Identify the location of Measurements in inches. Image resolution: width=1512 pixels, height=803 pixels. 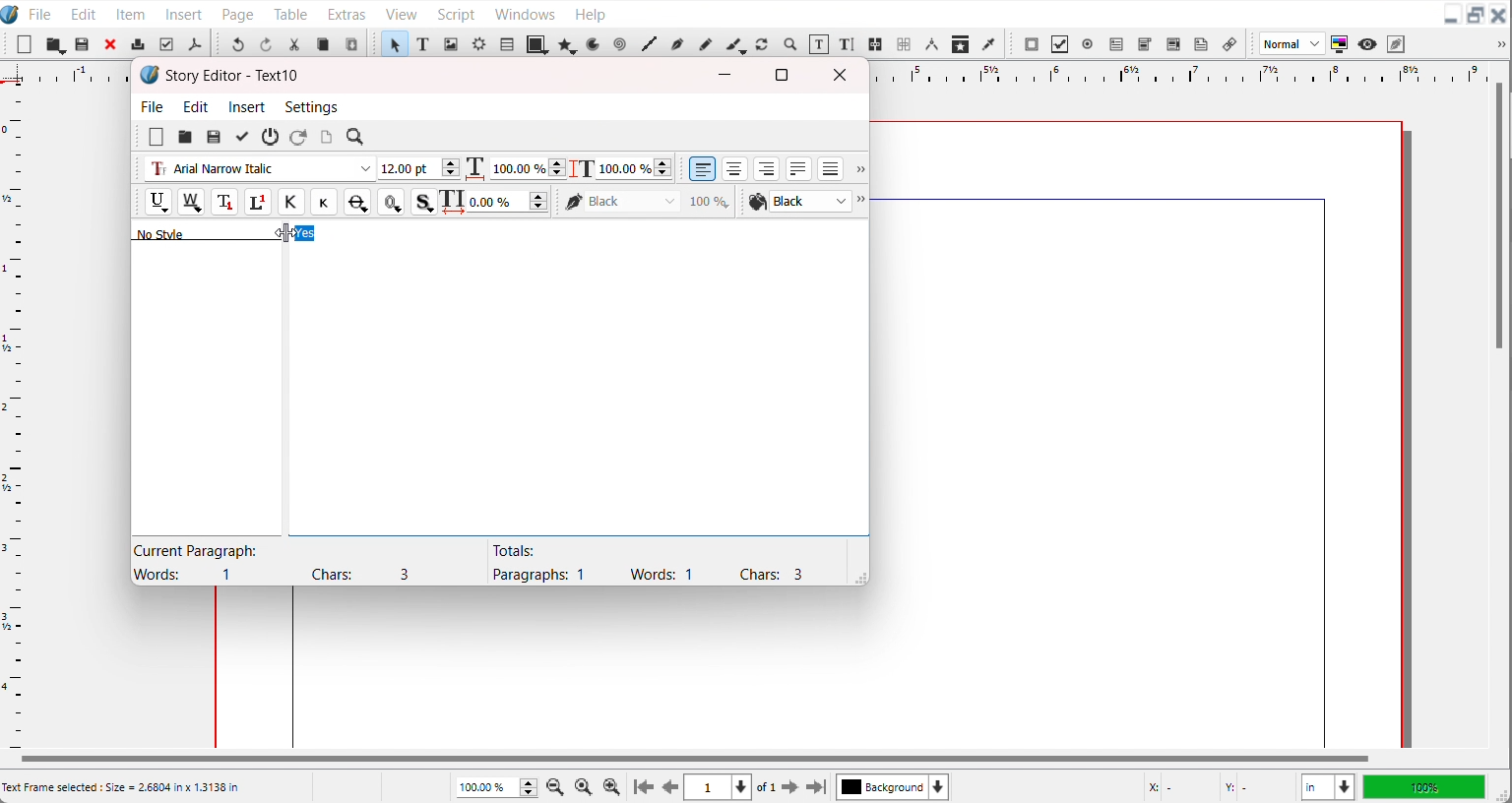
(1328, 787).